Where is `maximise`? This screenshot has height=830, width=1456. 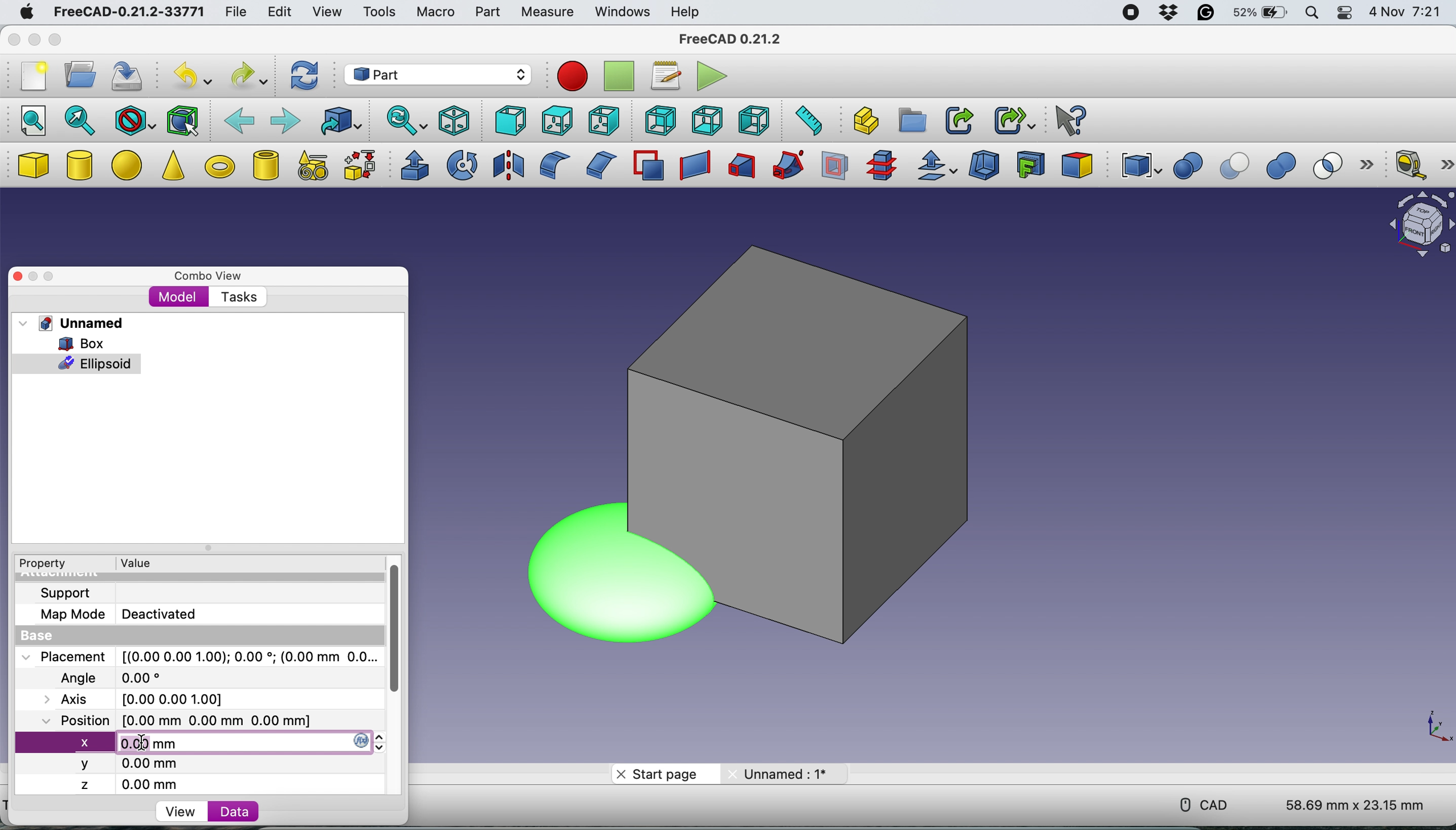 maximise is located at coordinates (60, 274).